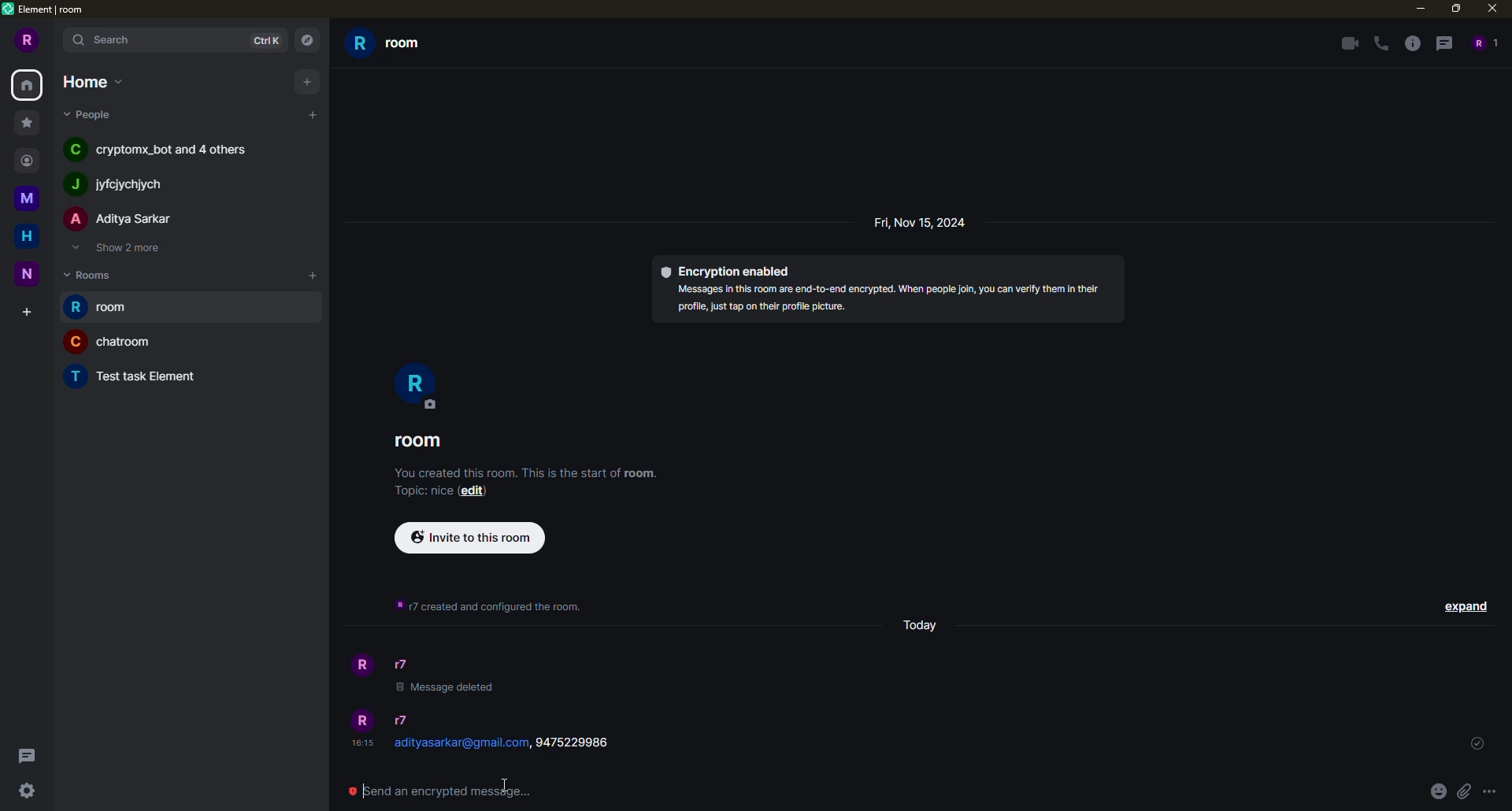  I want to click on voice call, so click(1380, 43).